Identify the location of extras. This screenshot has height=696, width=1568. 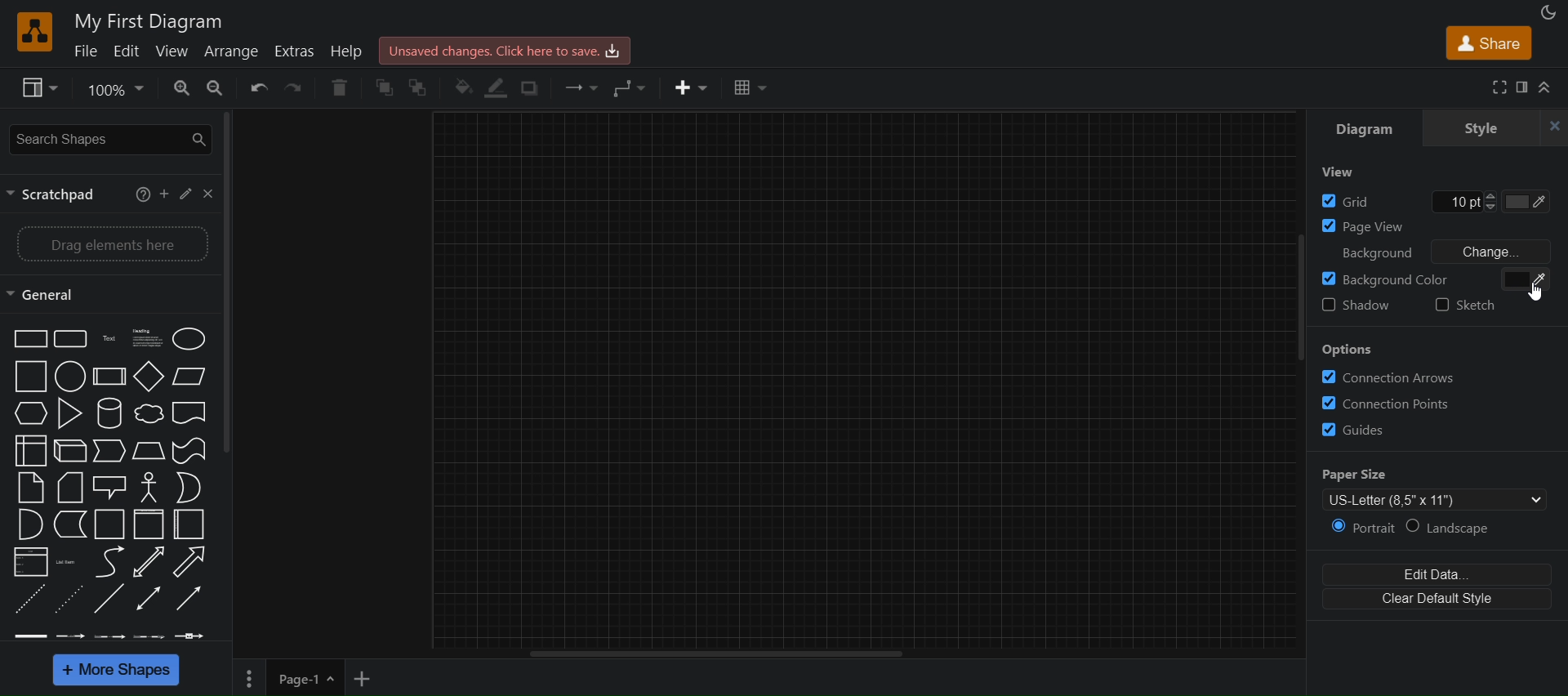
(293, 51).